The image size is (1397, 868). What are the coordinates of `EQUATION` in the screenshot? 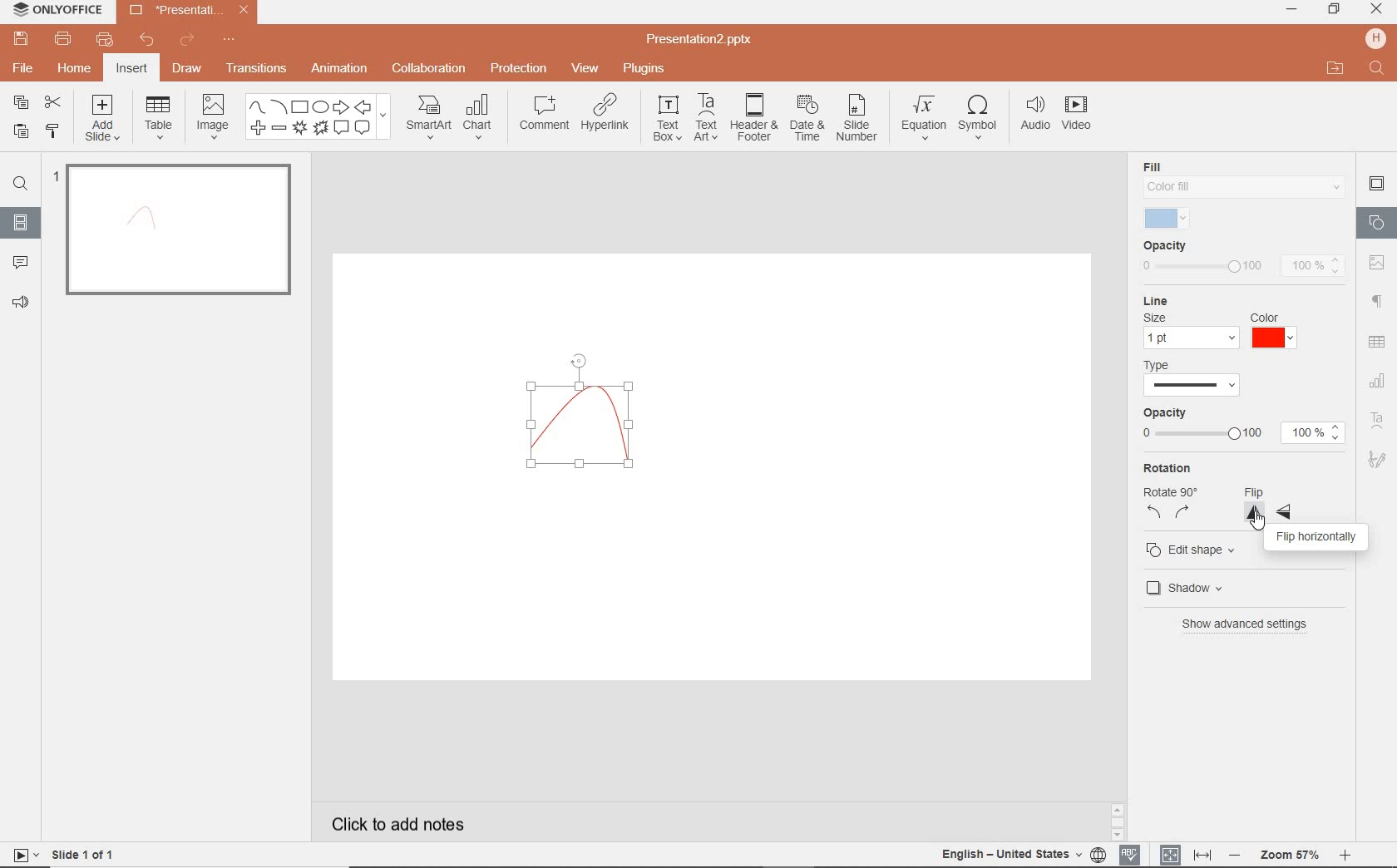 It's located at (924, 116).